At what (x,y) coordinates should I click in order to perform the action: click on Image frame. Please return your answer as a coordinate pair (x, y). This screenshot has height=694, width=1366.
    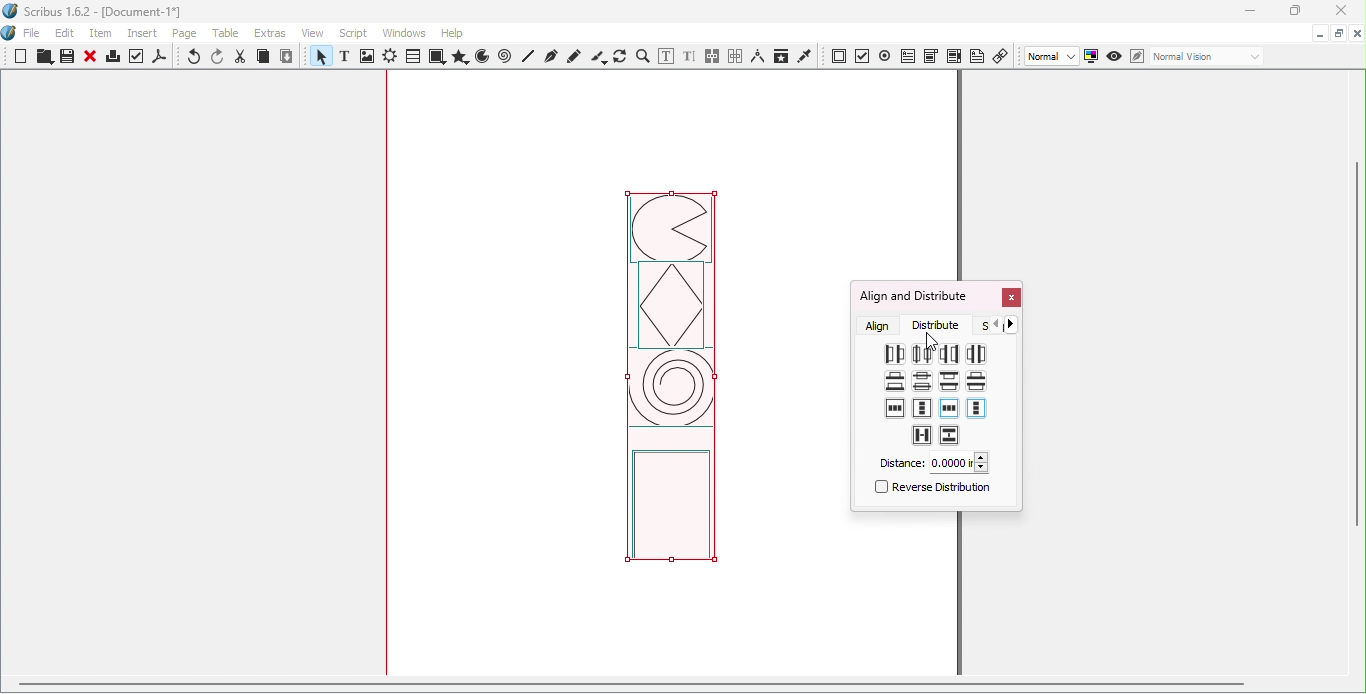
    Looking at the image, I should click on (369, 58).